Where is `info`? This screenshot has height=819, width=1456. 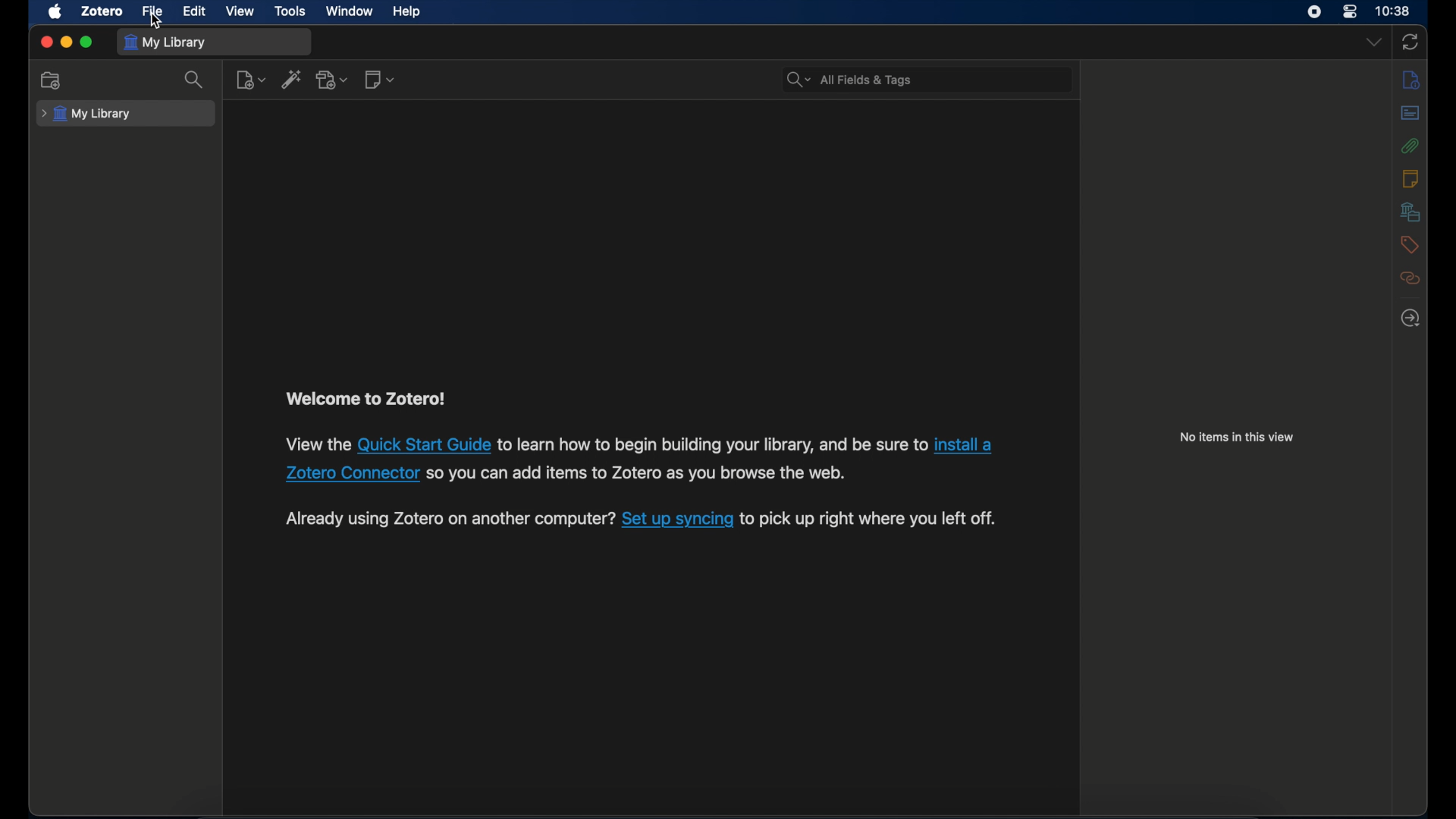 info is located at coordinates (1411, 80).